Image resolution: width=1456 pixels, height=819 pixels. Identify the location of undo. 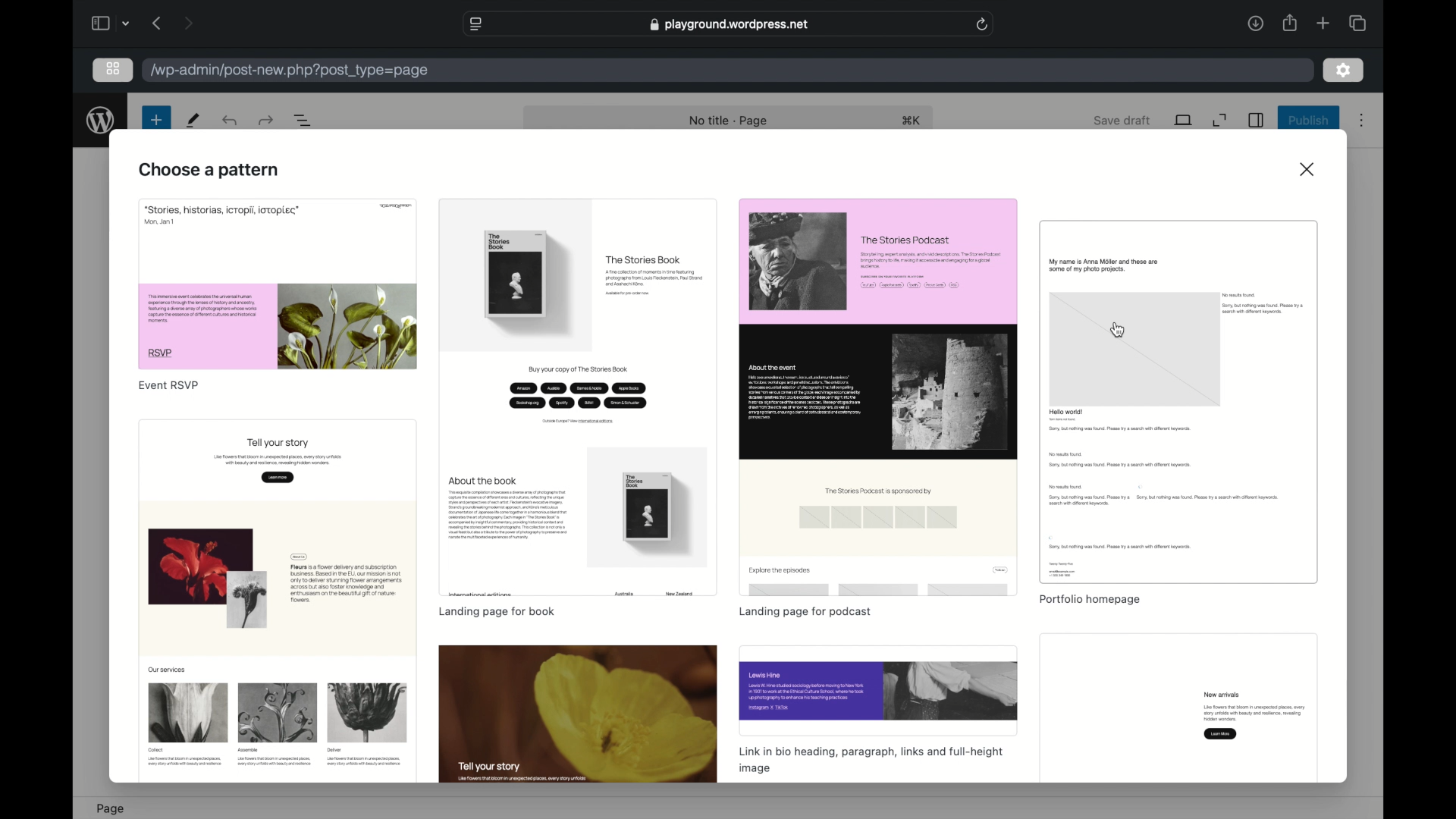
(265, 120).